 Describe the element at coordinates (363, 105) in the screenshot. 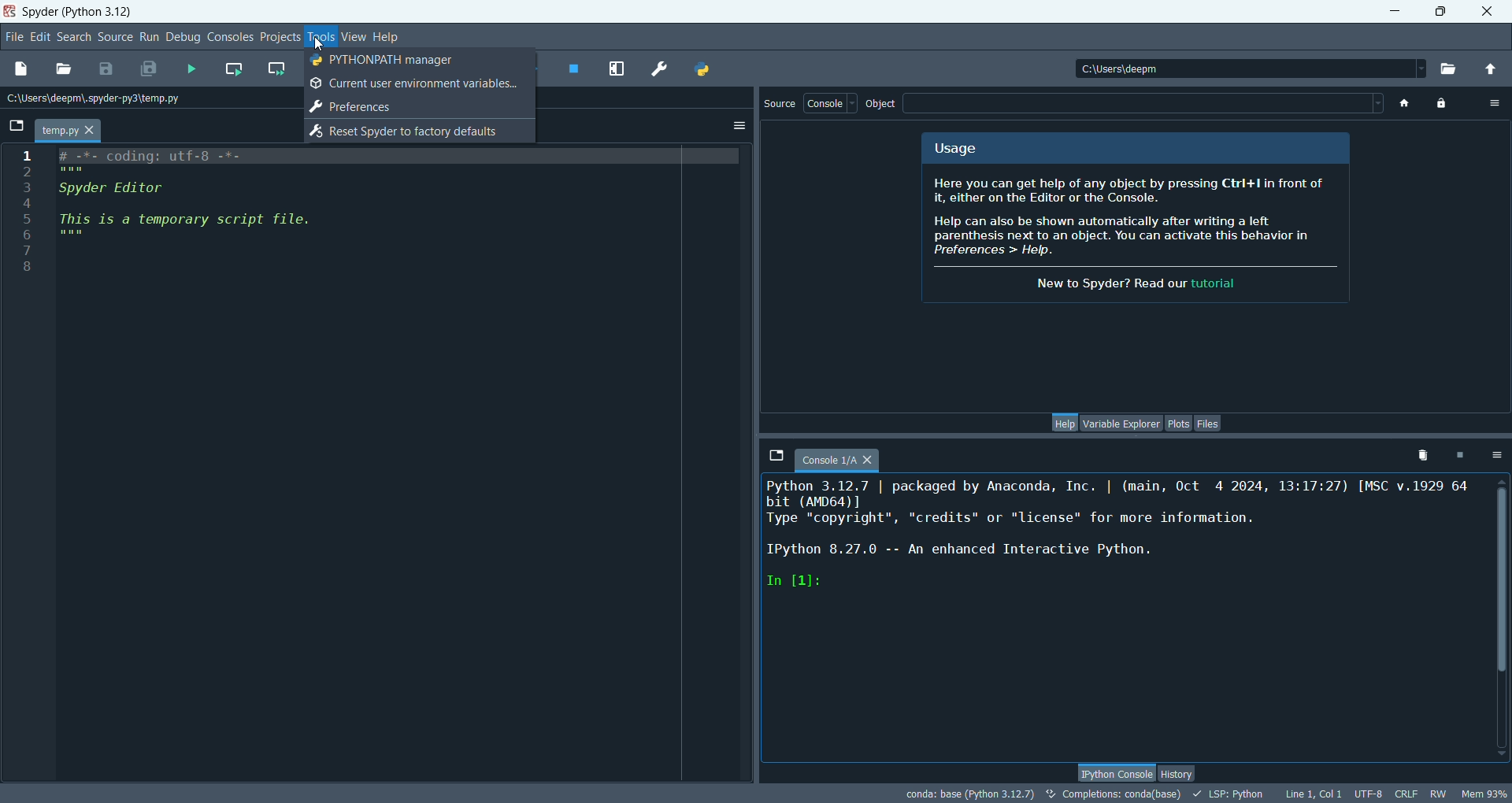

I see `preferences` at that location.